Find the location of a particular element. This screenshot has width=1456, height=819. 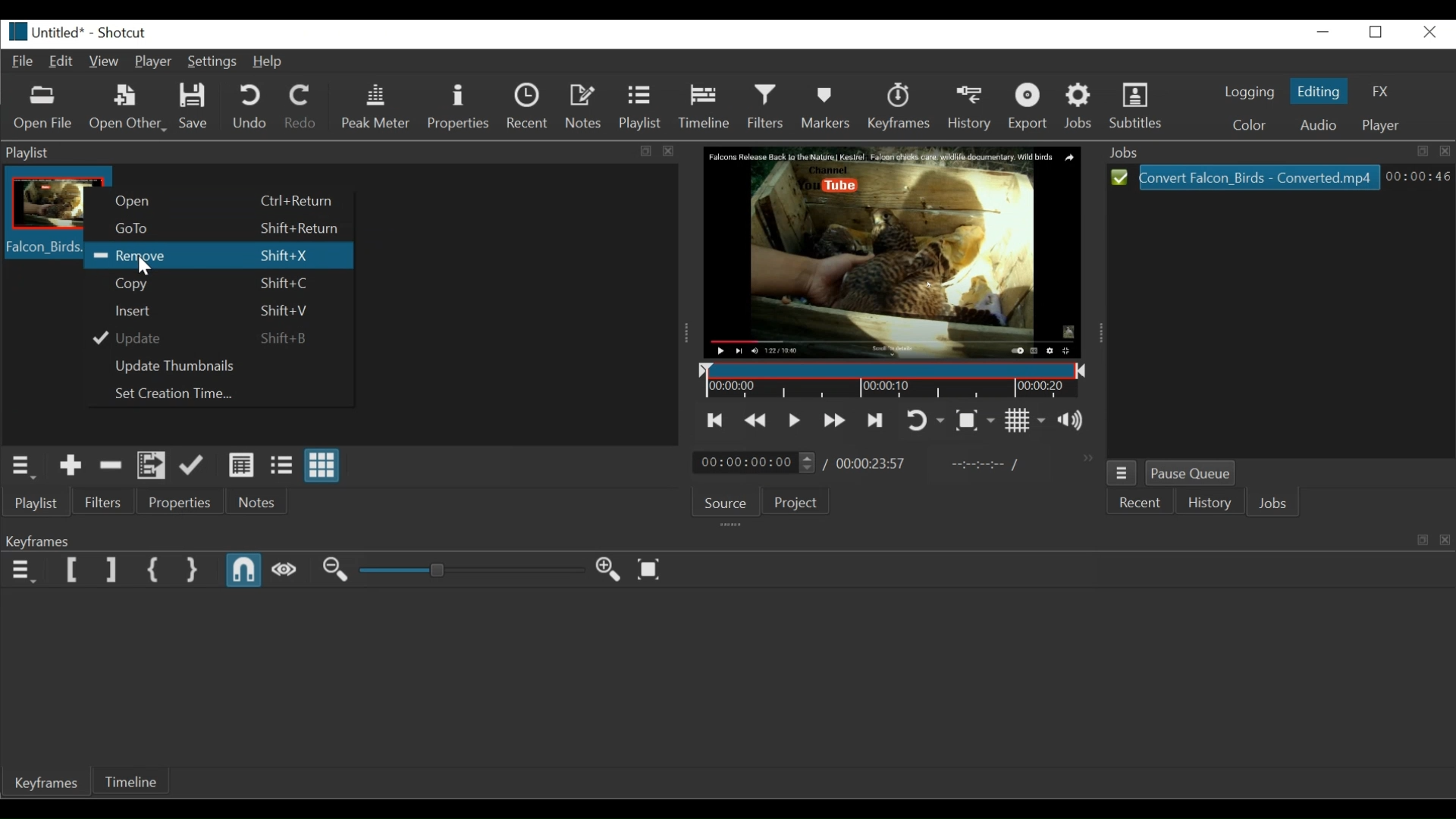

Save is located at coordinates (192, 106).